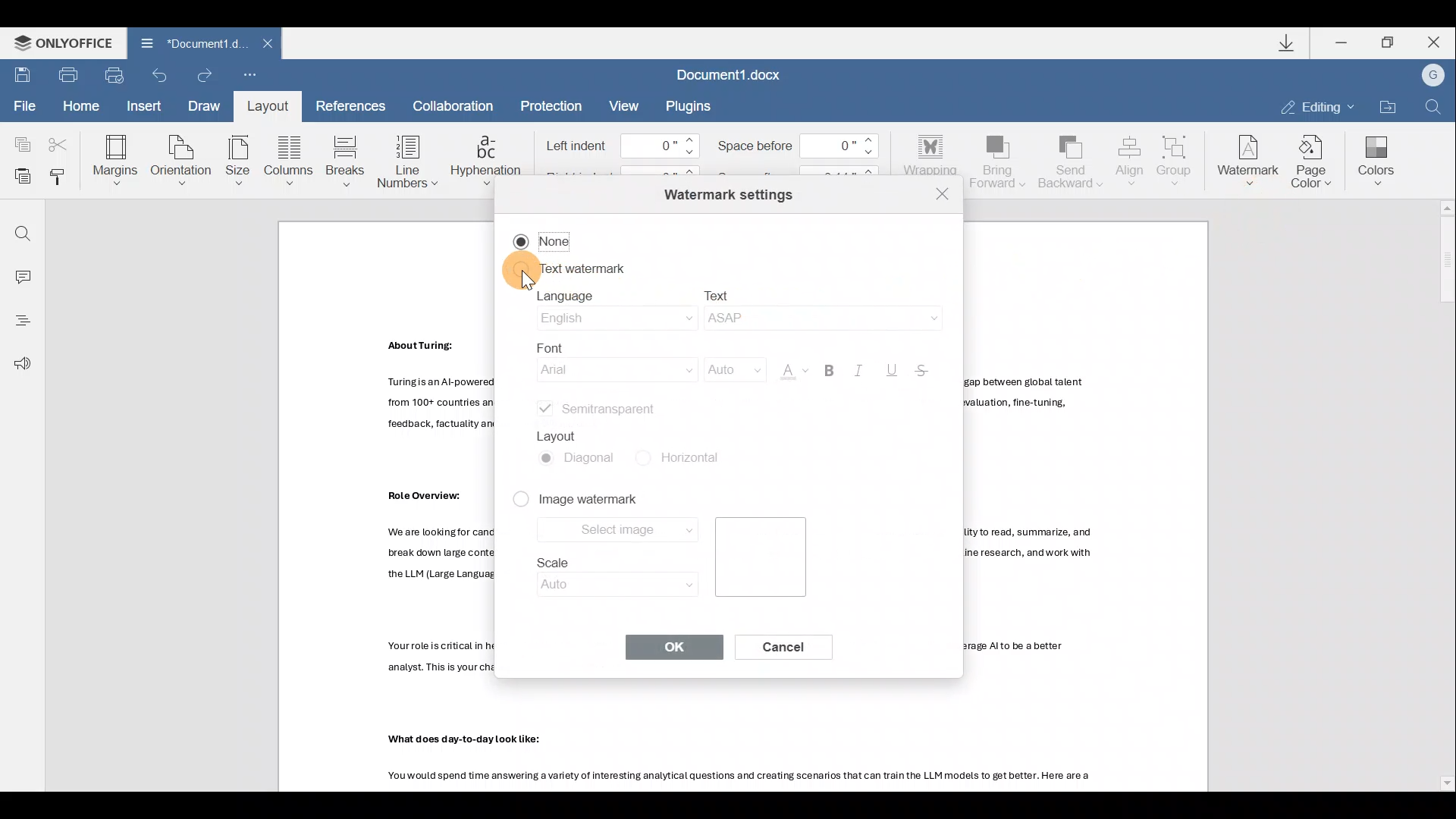 This screenshot has width=1456, height=819. What do you see at coordinates (864, 369) in the screenshot?
I see `Italic` at bounding box center [864, 369].